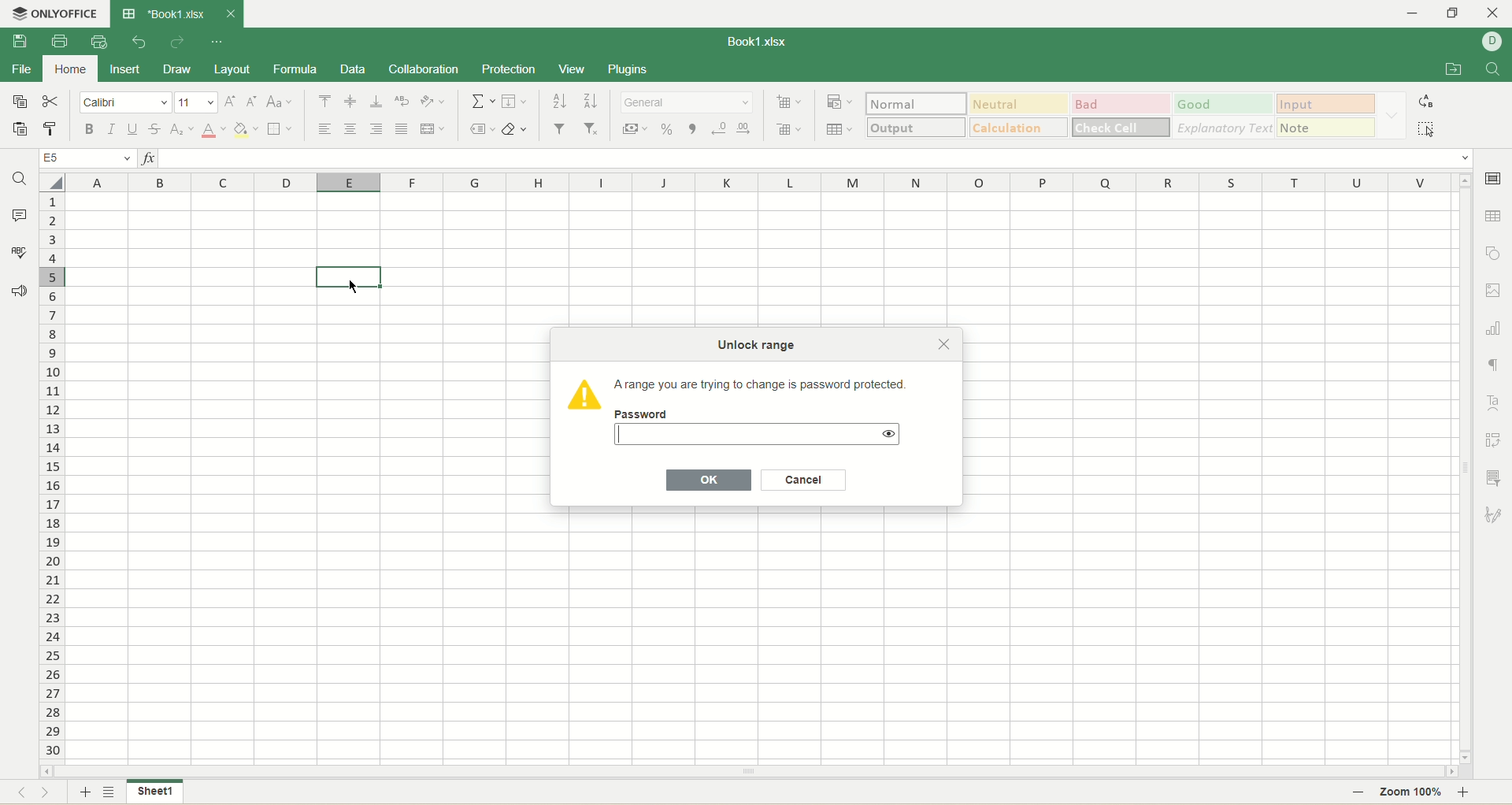 This screenshot has width=1512, height=805. What do you see at coordinates (402, 131) in the screenshot?
I see `justified` at bounding box center [402, 131].